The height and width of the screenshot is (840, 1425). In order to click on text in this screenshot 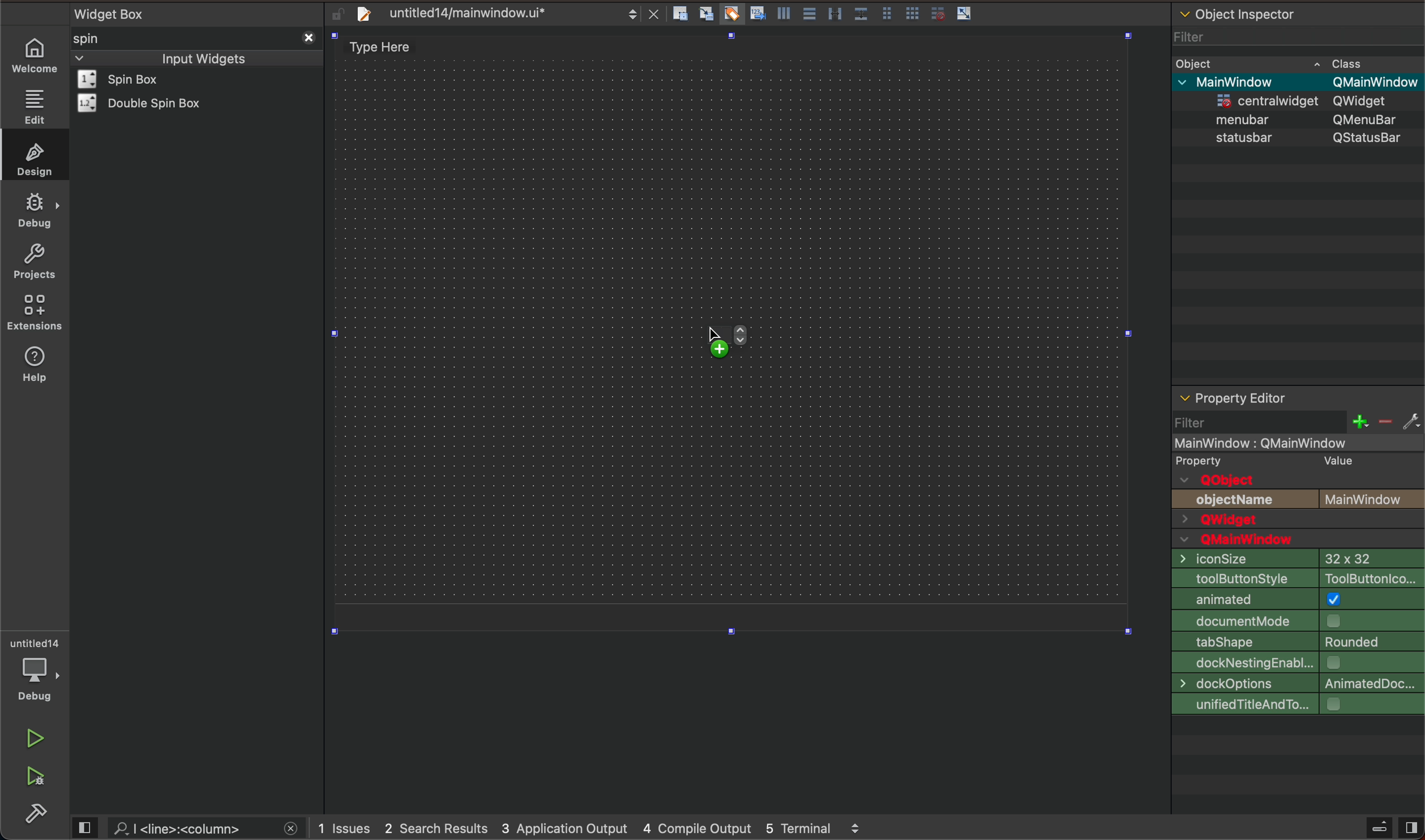, I will do `click(1334, 460)`.